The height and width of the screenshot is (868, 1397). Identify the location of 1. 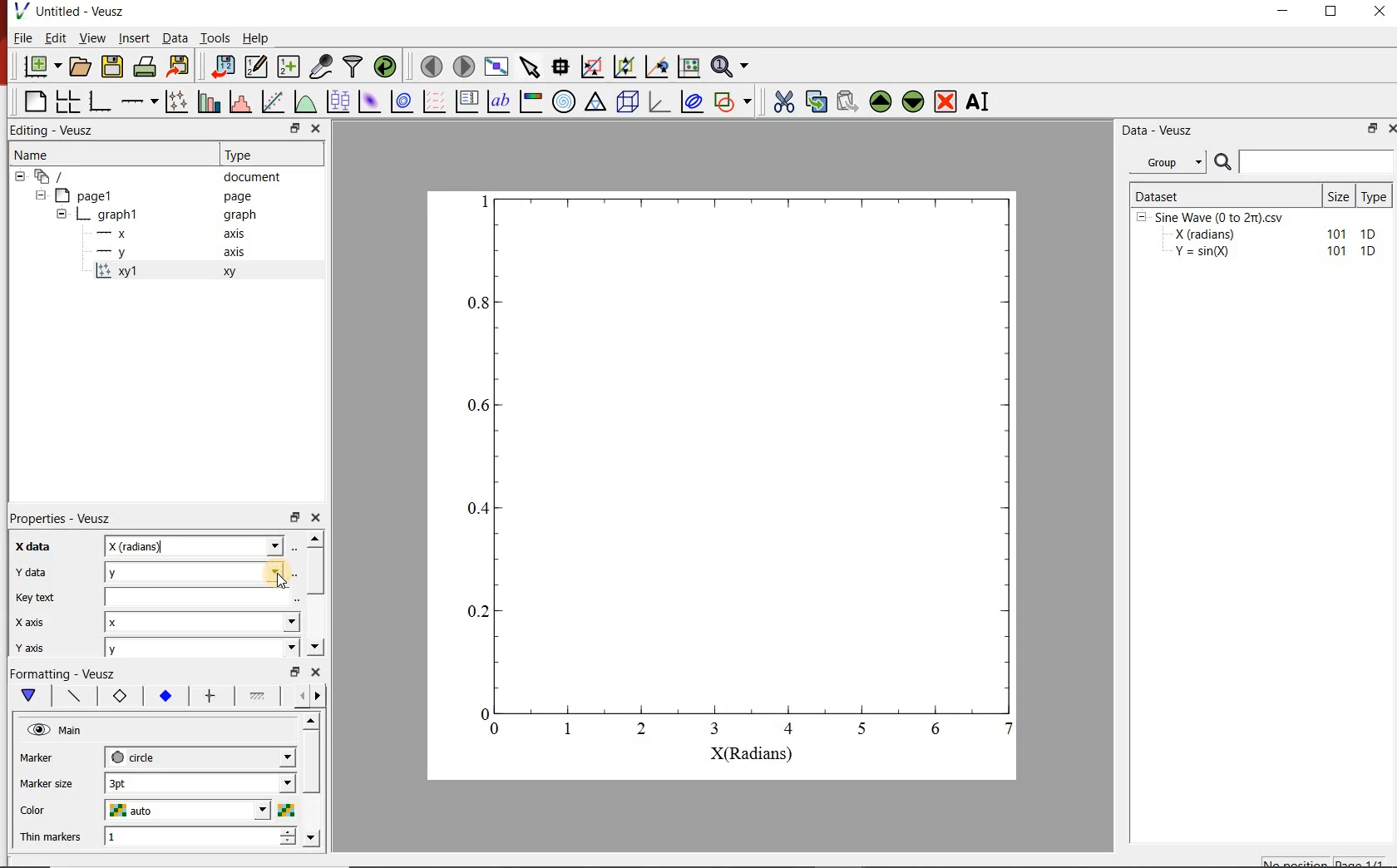
(200, 837).